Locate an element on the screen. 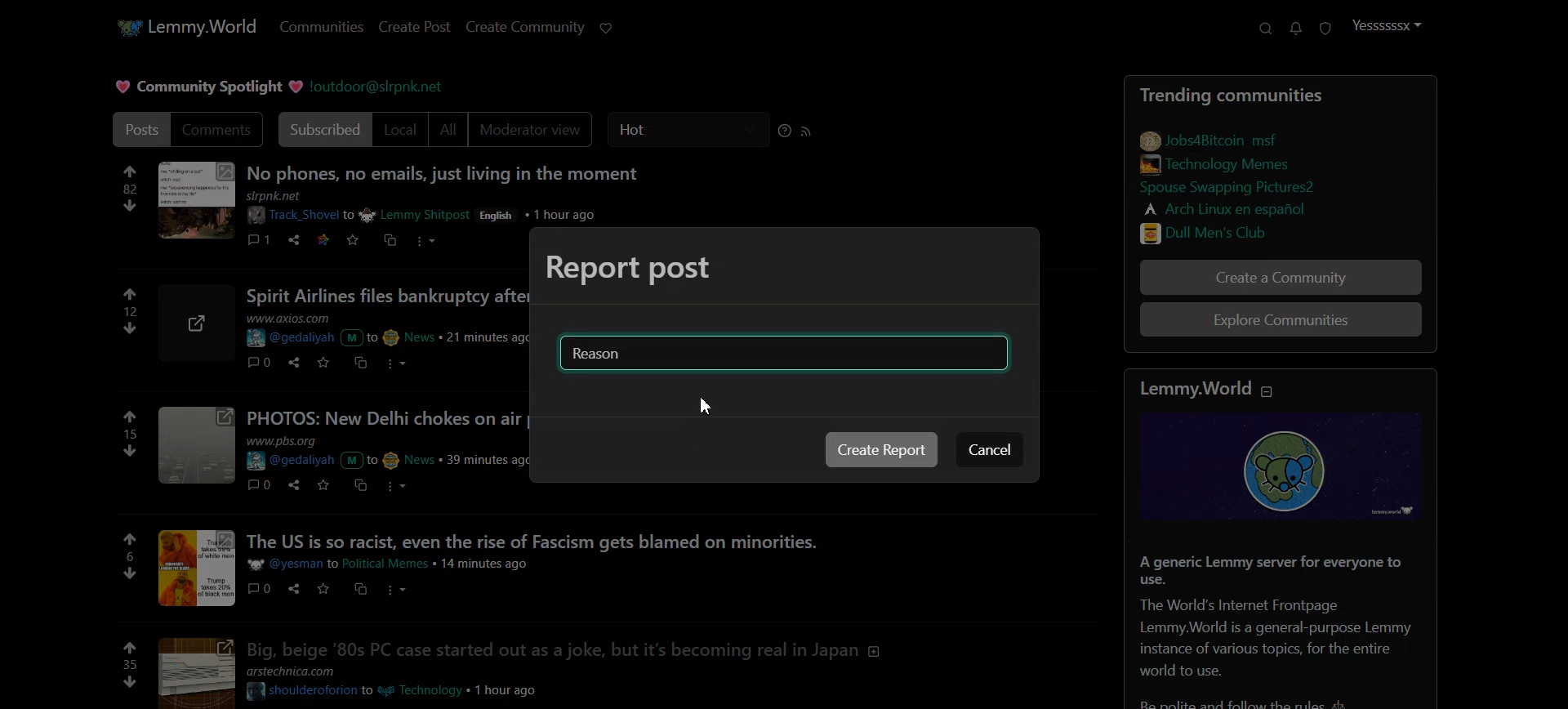 This screenshot has width=1568, height=709. Unread report is located at coordinates (1324, 28).